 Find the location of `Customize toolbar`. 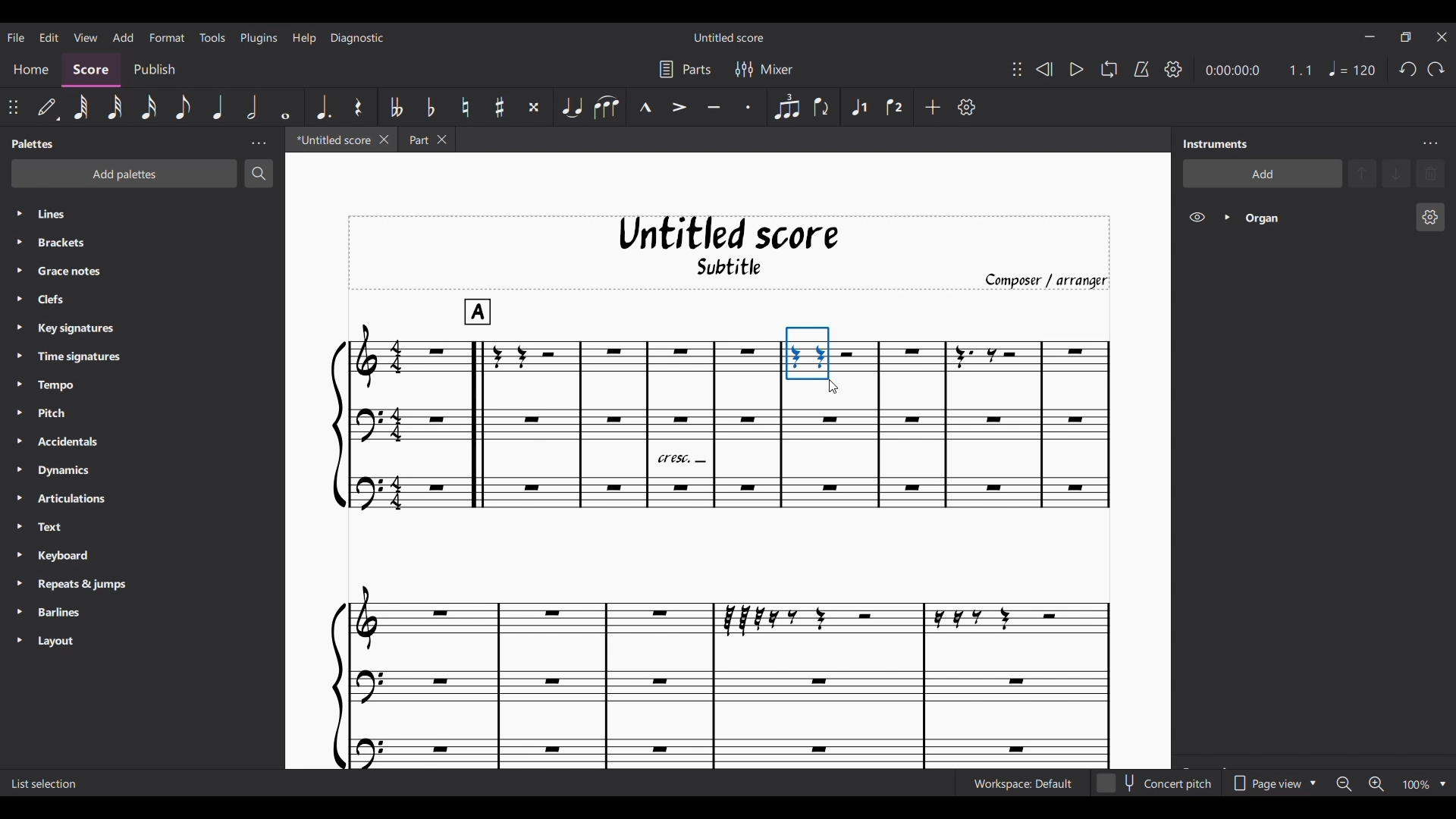

Customize toolbar is located at coordinates (966, 107).